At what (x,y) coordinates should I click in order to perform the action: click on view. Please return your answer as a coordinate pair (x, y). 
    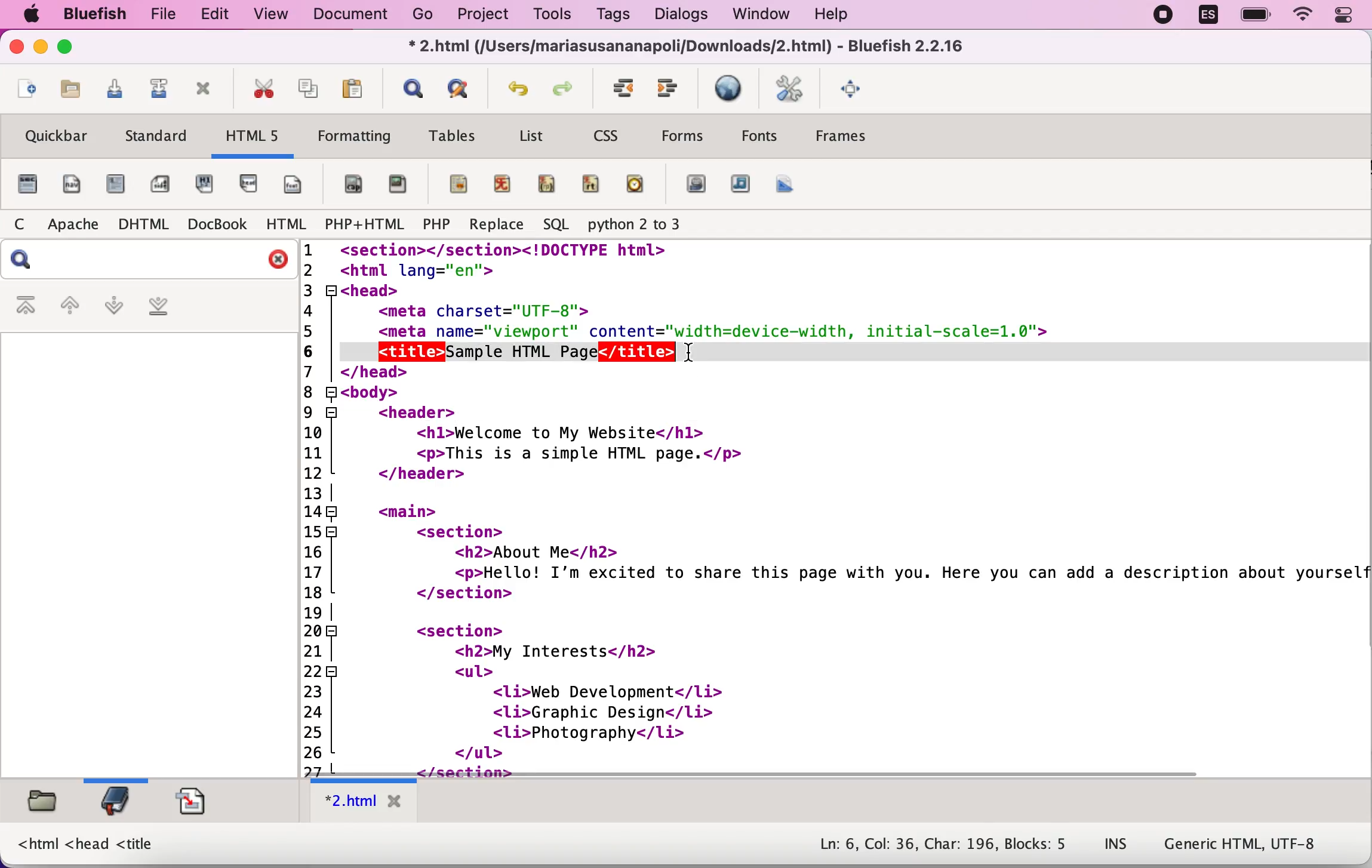
    Looking at the image, I should click on (275, 15).